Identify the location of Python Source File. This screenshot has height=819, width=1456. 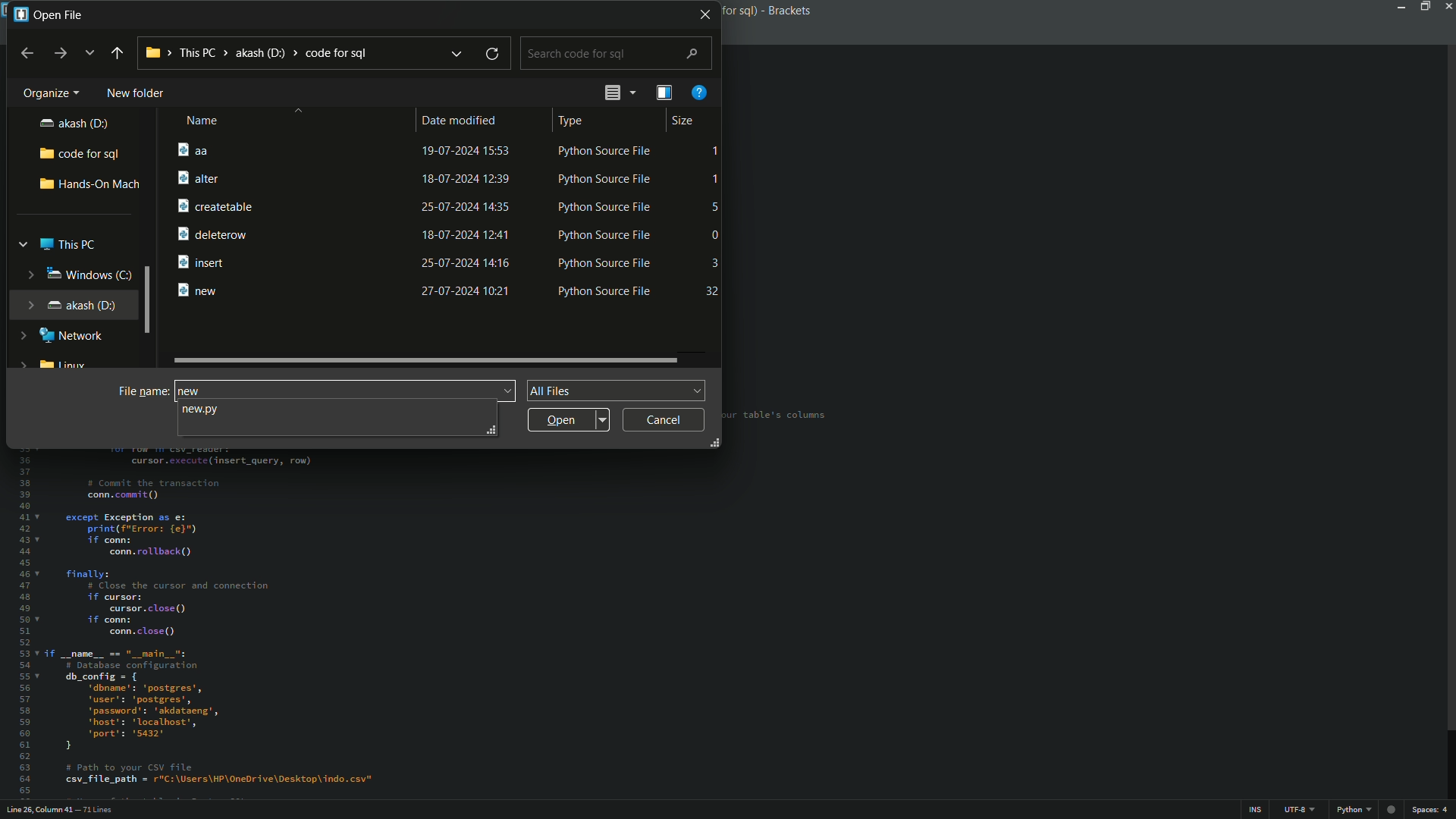
(605, 207).